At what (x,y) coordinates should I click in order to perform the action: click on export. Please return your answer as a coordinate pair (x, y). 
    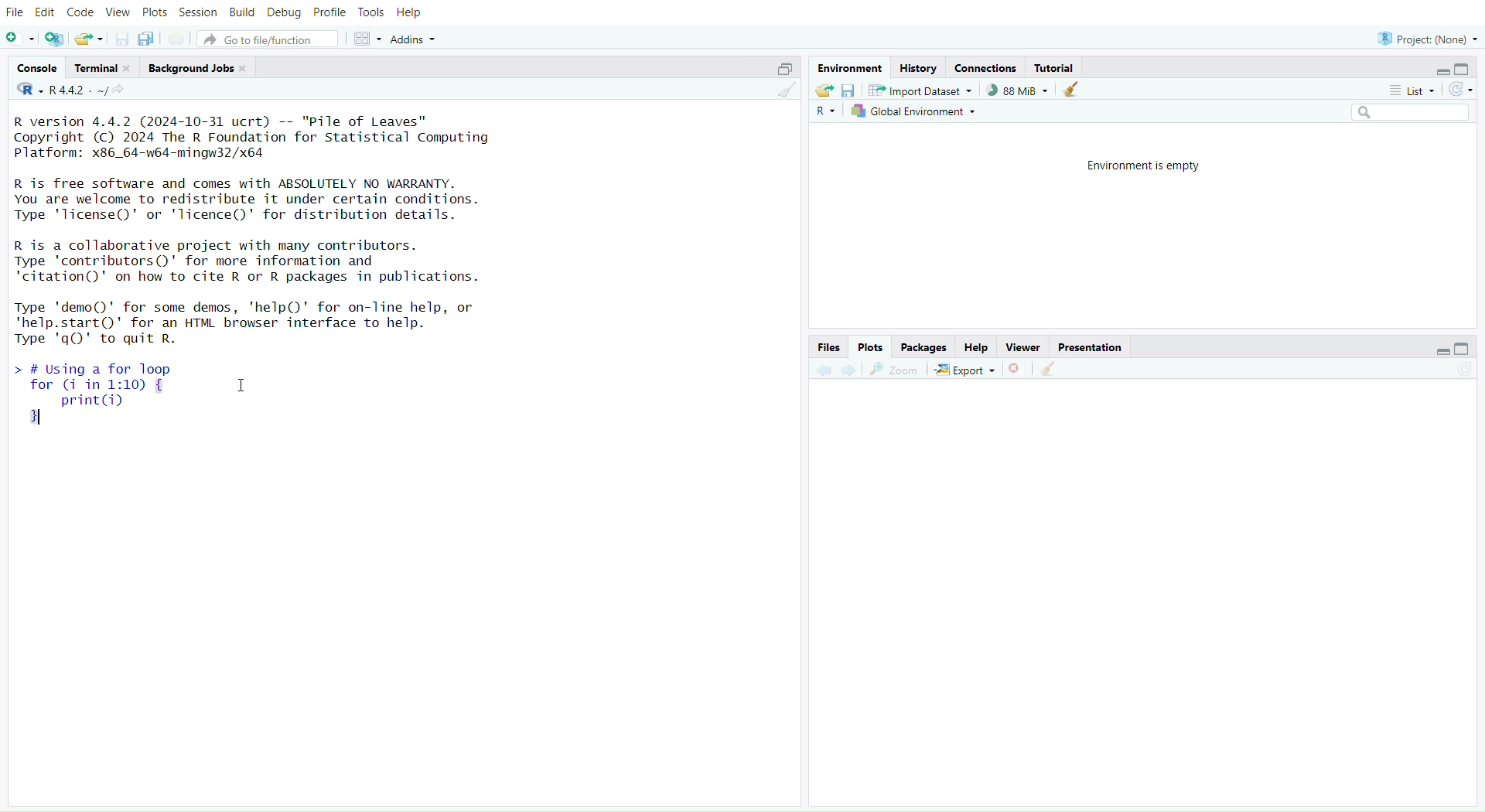
    Looking at the image, I should click on (963, 371).